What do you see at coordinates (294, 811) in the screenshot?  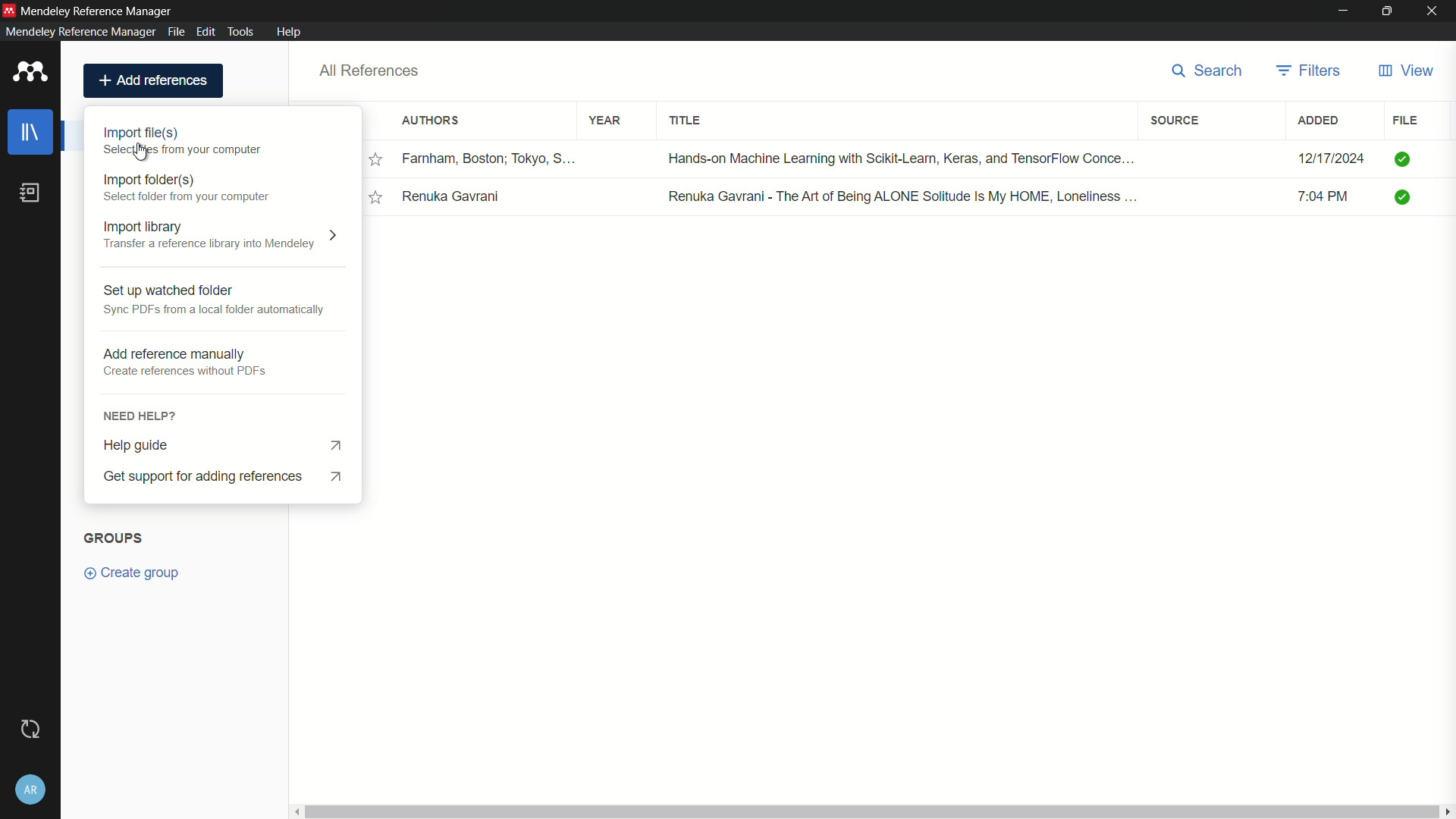 I see `scroll left` at bounding box center [294, 811].